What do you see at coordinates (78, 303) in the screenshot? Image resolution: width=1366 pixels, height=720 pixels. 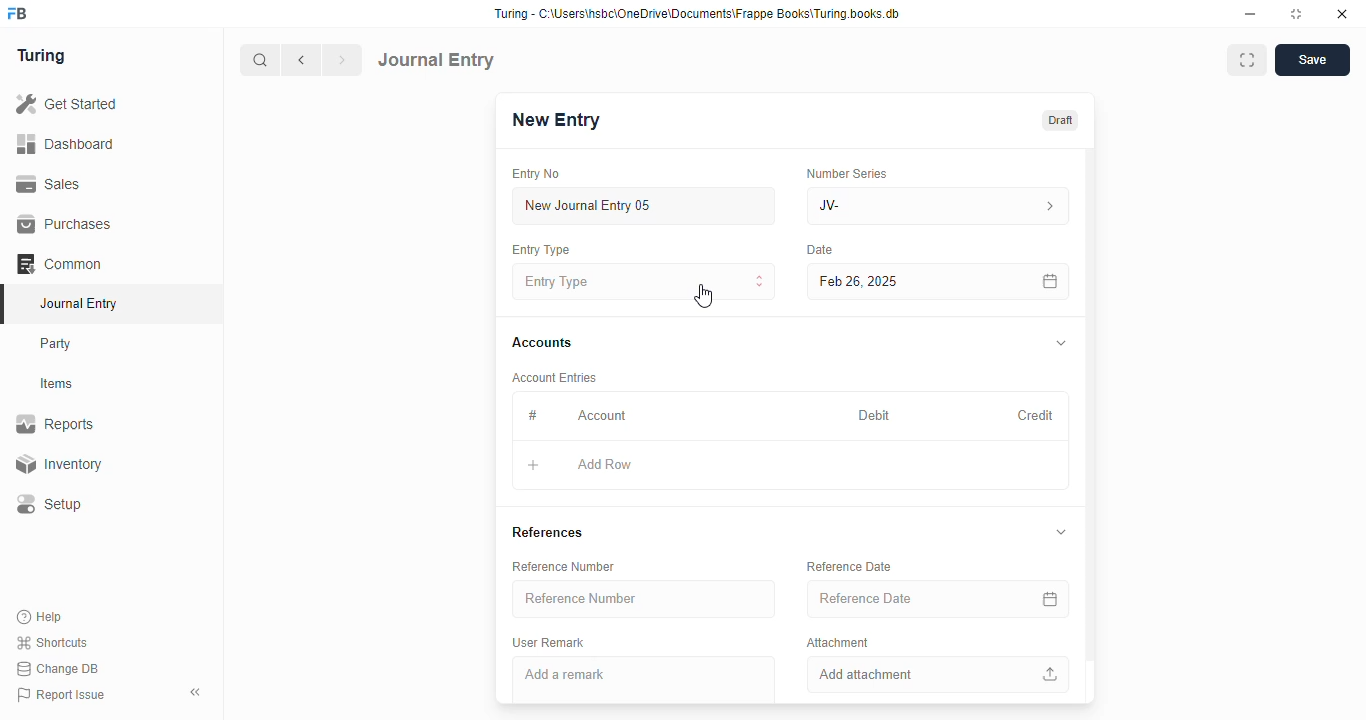 I see `journal entry` at bounding box center [78, 303].